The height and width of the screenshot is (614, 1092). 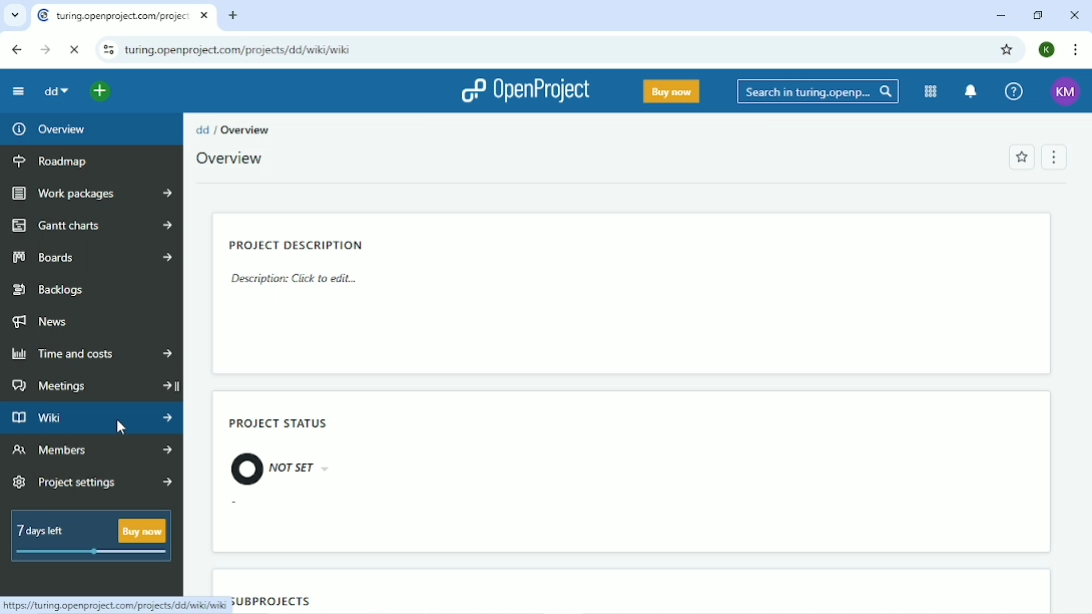 What do you see at coordinates (1057, 156) in the screenshot?
I see `Menu` at bounding box center [1057, 156].